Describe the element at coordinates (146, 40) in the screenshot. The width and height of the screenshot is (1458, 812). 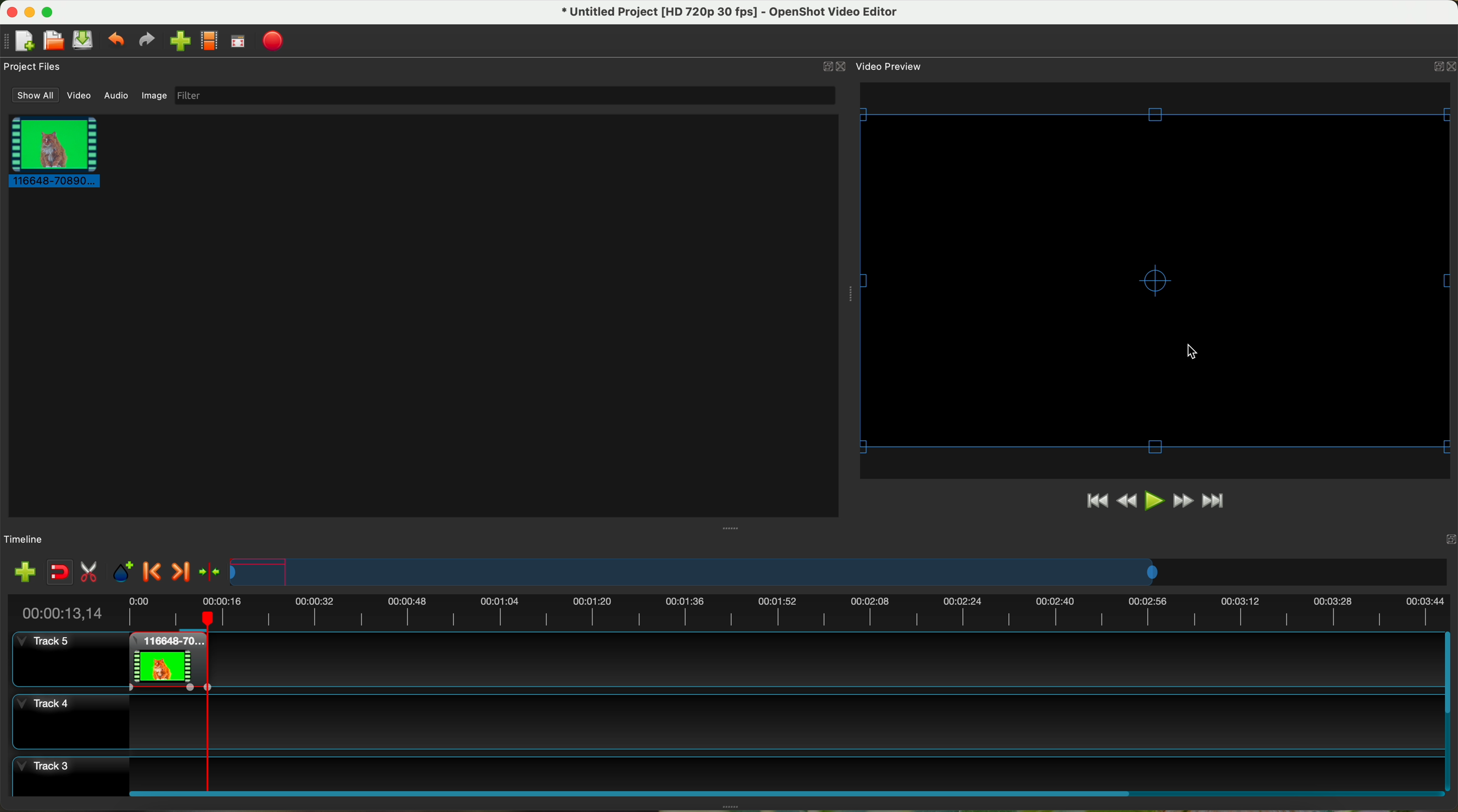
I see `redo` at that location.